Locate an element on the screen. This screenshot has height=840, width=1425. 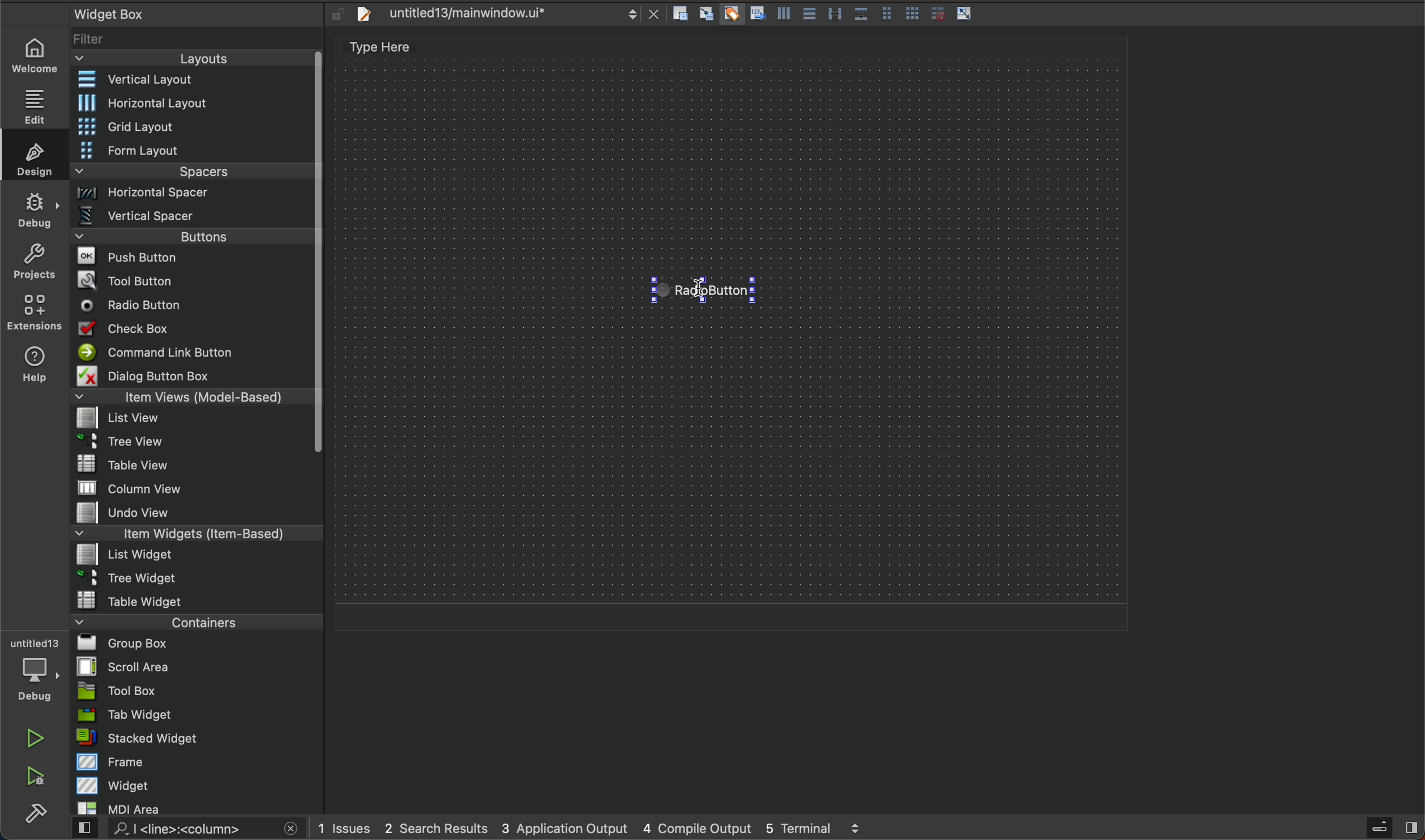
column  is located at coordinates (198, 487).